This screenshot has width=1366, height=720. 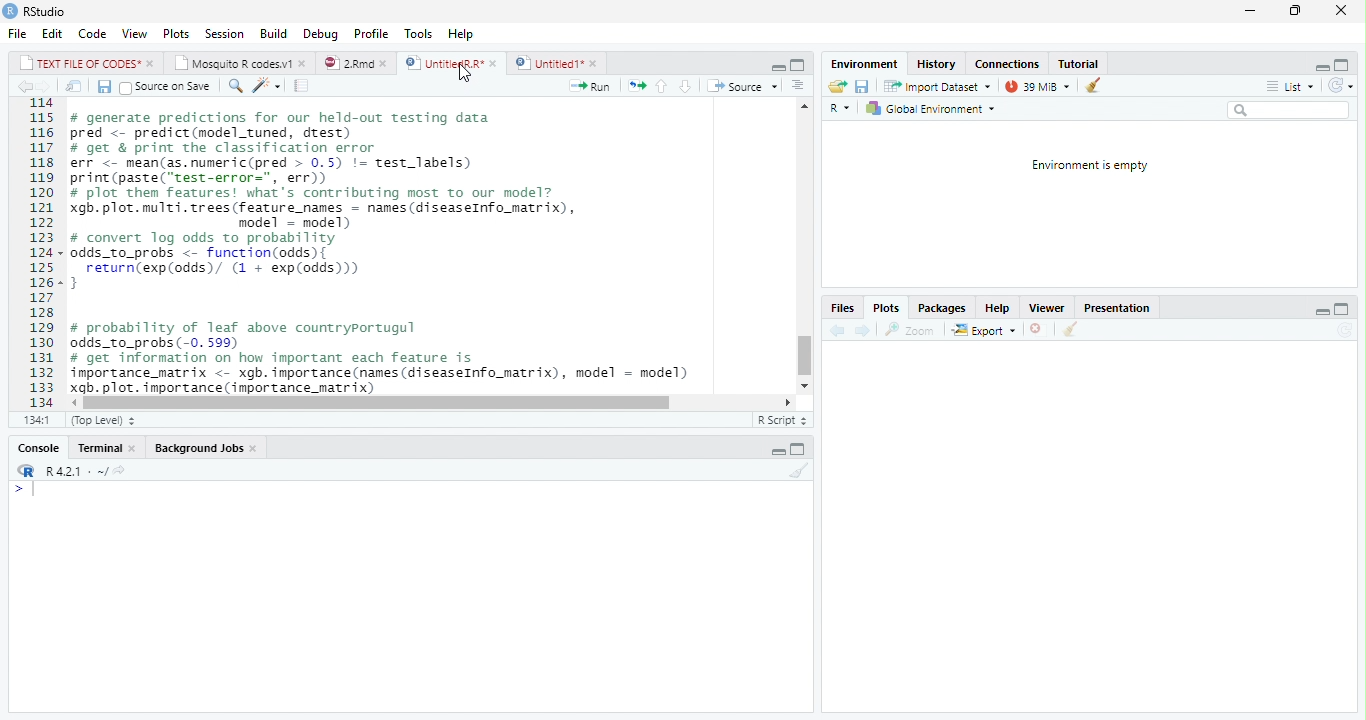 What do you see at coordinates (134, 34) in the screenshot?
I see `View` at bounding box center [134, 34].